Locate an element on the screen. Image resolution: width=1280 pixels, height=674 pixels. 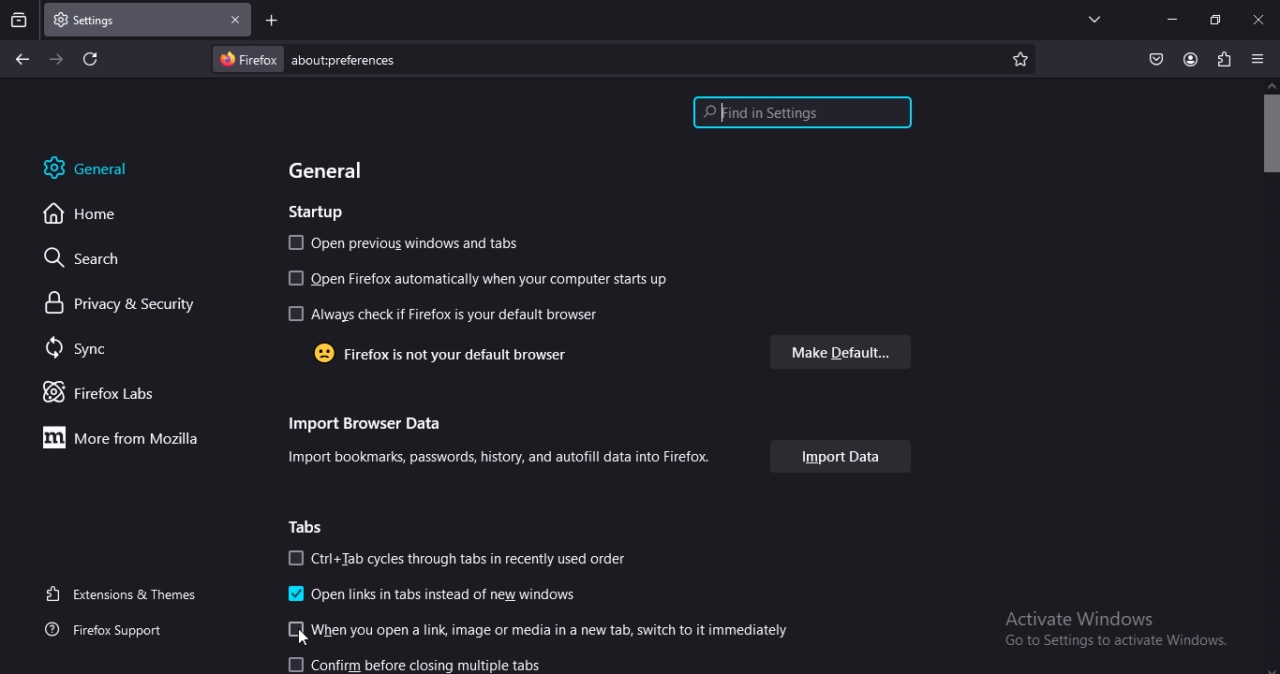
close tab is located at coordinates (235, 19).